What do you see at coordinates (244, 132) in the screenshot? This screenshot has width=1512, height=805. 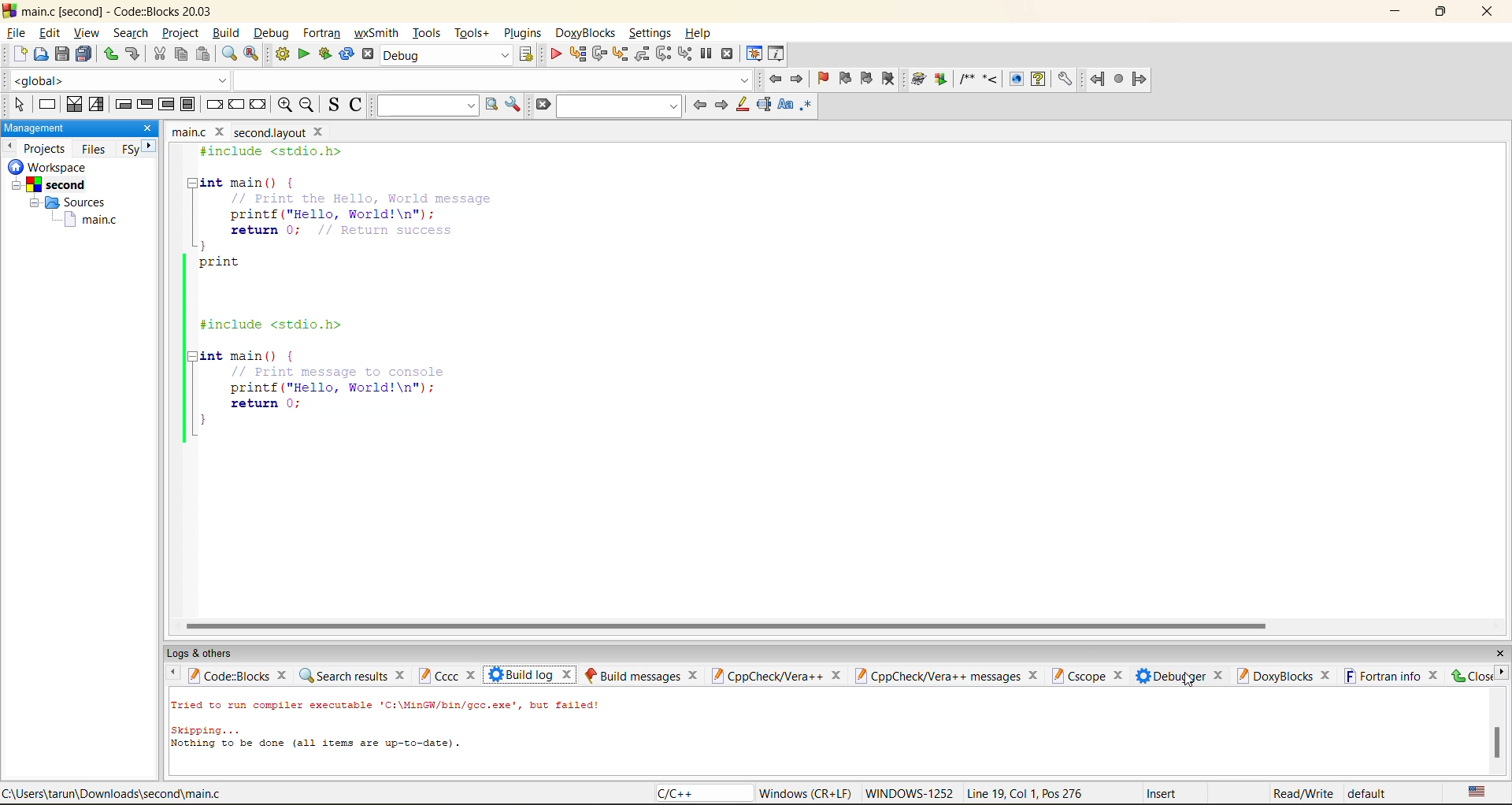 I see `file name` at bounding box center [244, 132].